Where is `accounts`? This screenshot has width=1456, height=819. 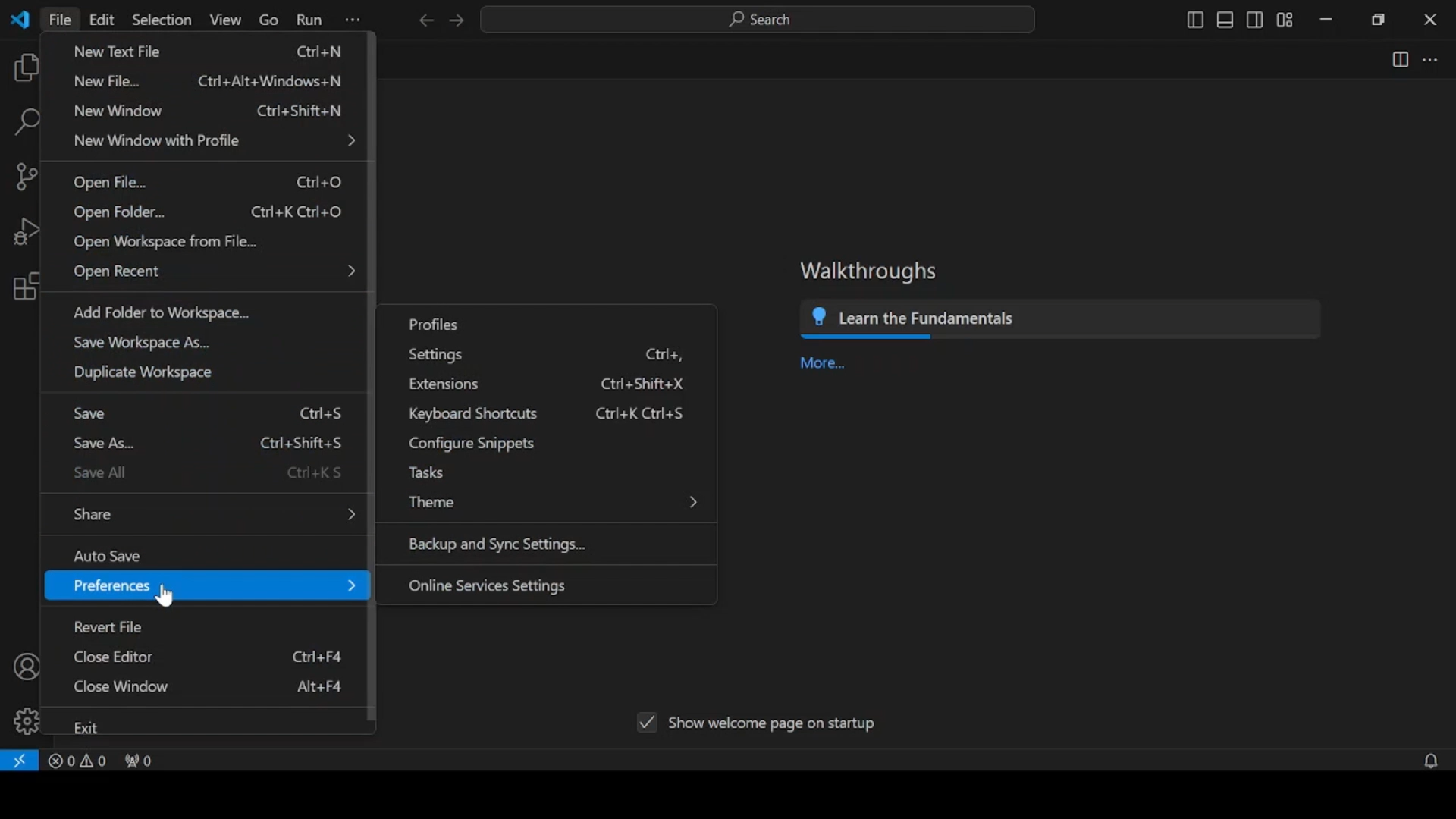 accounts is located at coordinates (24, 667).